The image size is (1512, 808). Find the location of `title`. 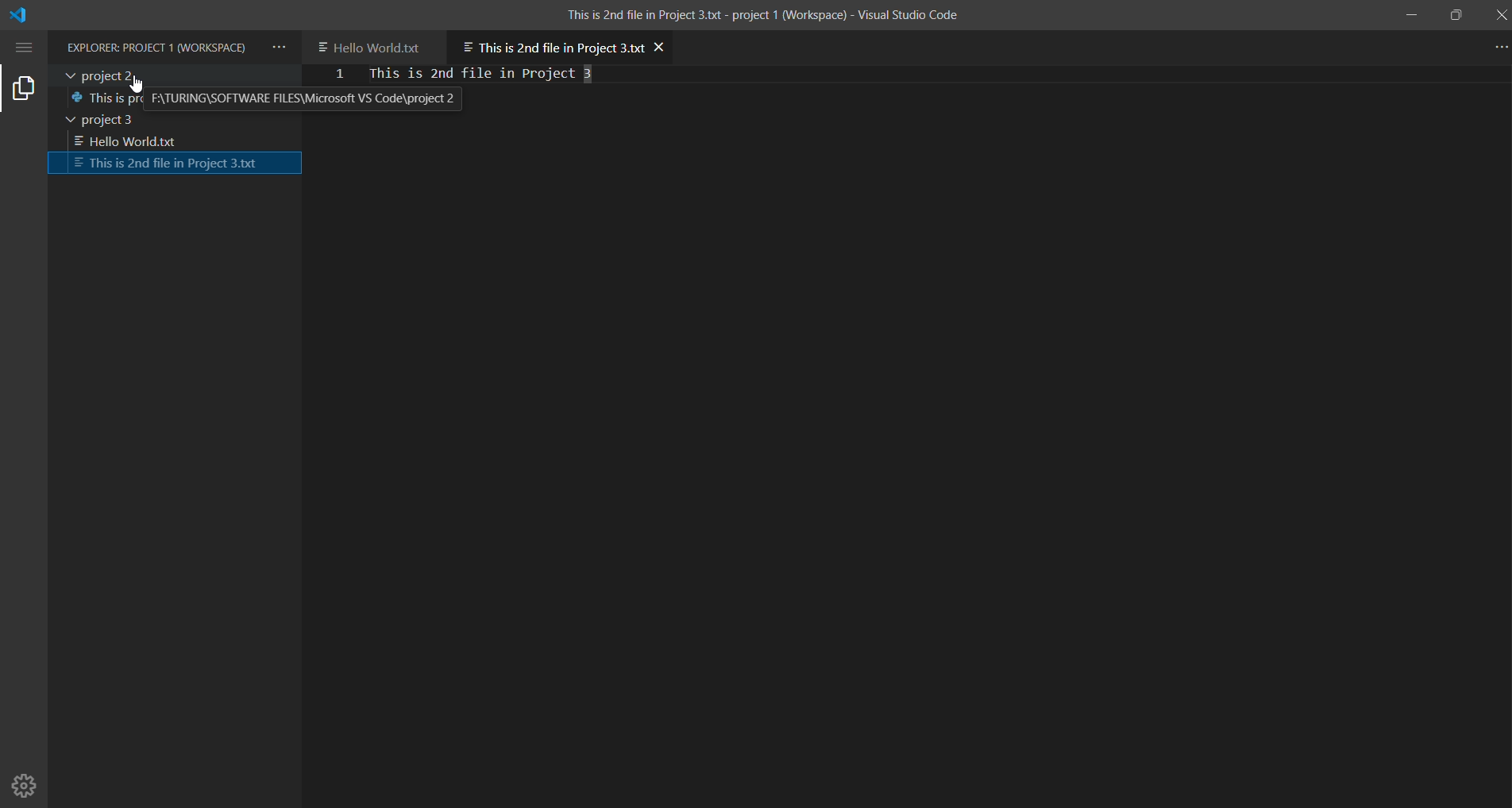

title is located at coordinates (762, 13).